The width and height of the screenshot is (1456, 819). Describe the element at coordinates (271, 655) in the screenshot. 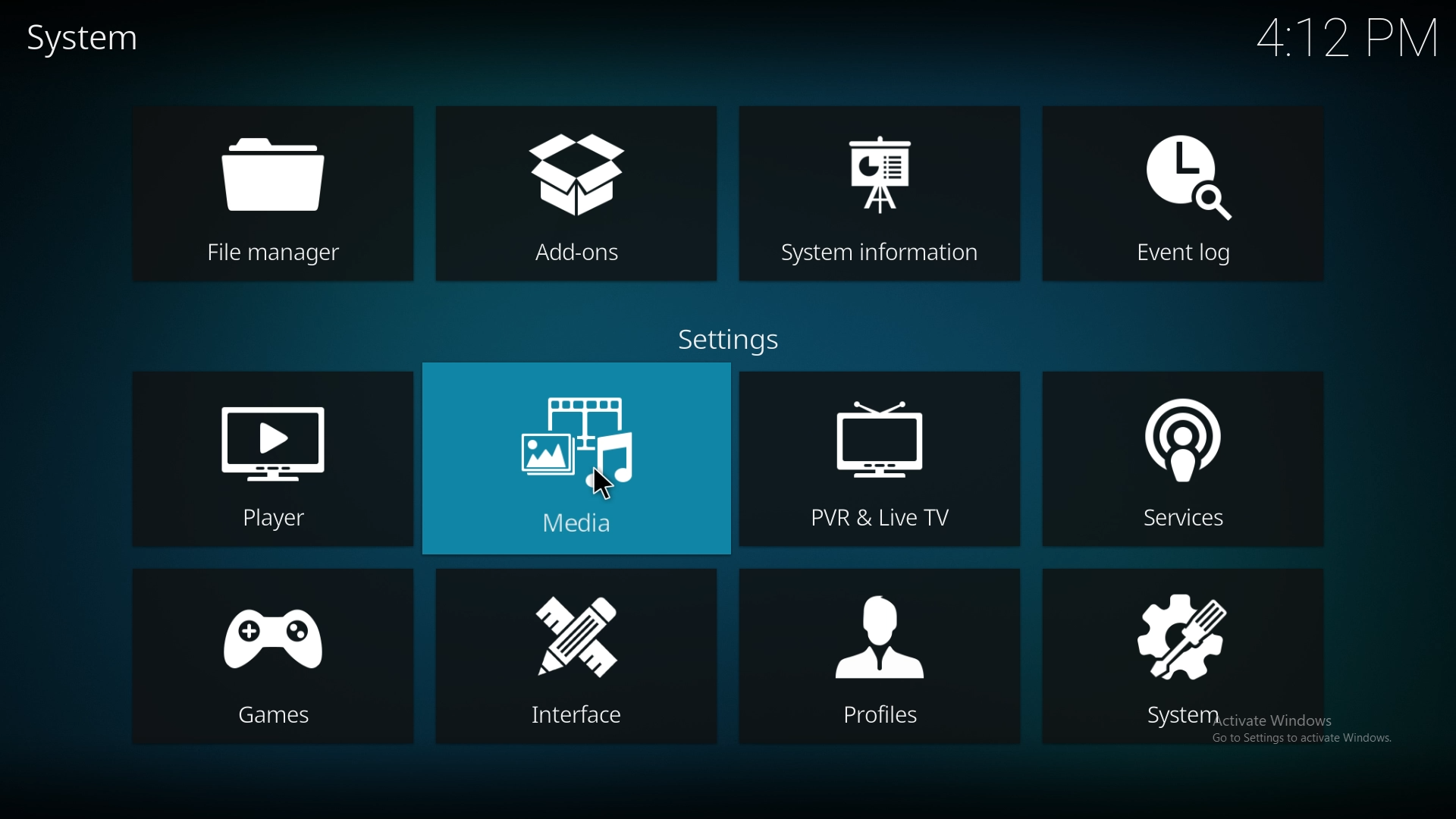

I see `games` at that location.